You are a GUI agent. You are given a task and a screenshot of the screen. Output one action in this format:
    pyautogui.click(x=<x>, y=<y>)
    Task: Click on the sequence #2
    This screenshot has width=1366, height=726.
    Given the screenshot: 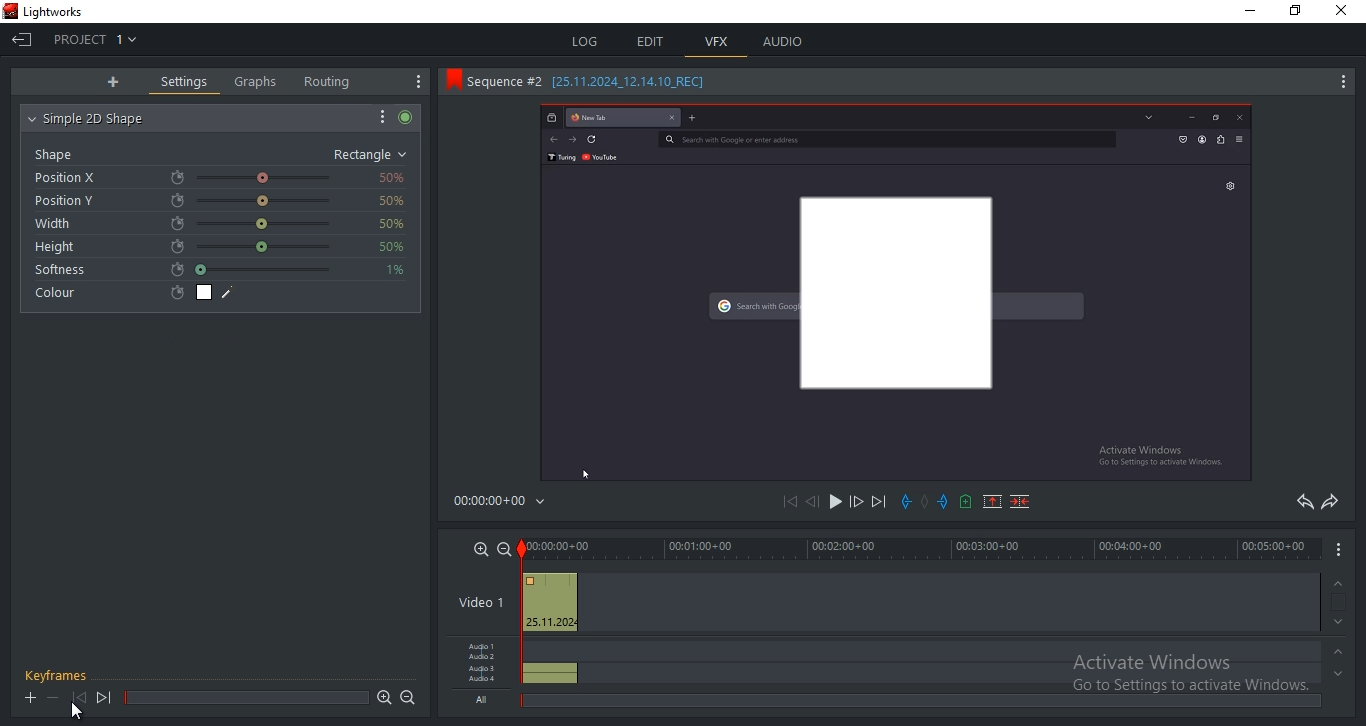 What is the action you would take?
    pyautogui.click(x=896, y=291)
    